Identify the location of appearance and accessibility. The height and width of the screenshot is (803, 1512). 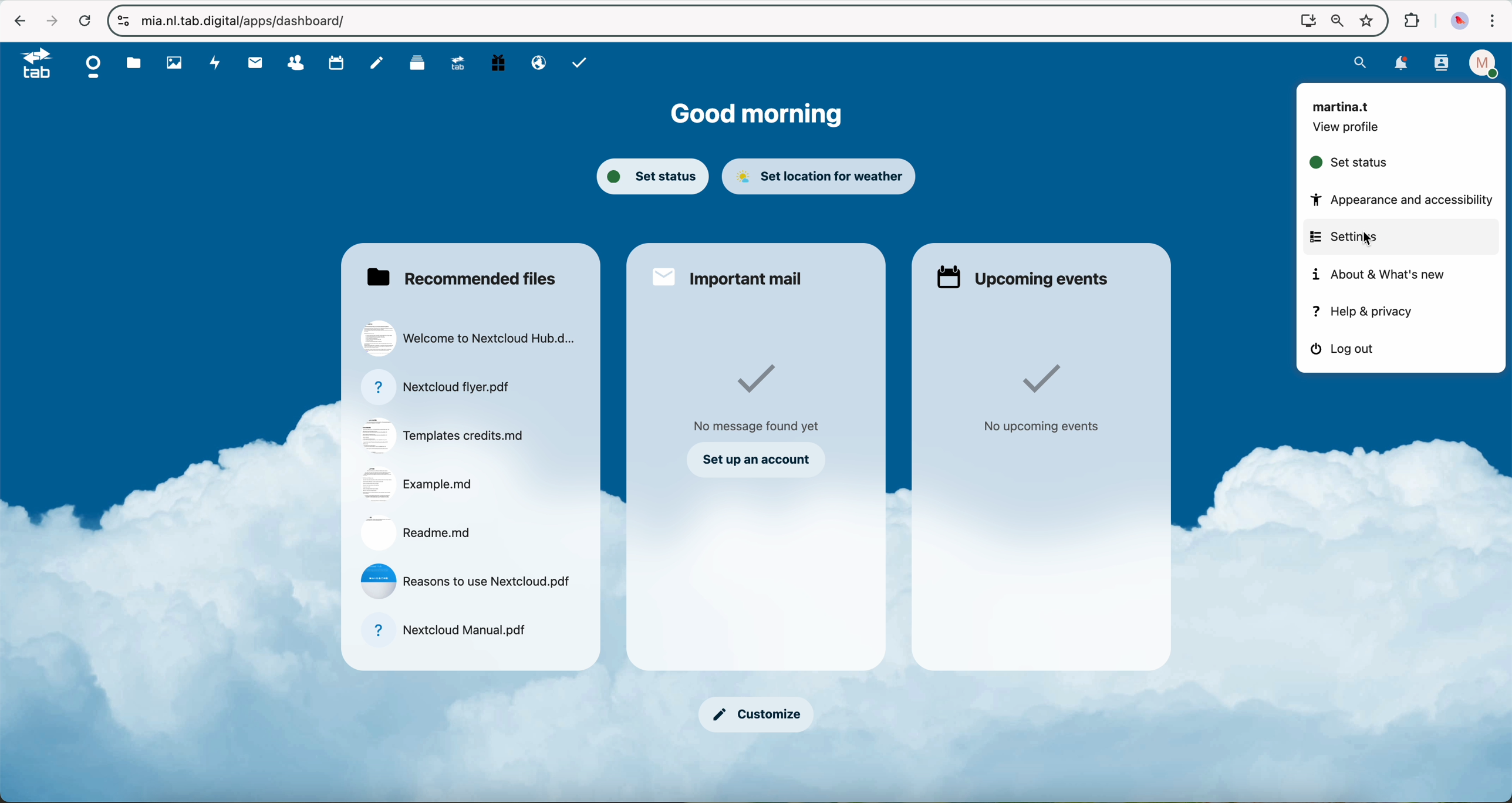
(1398, 200).